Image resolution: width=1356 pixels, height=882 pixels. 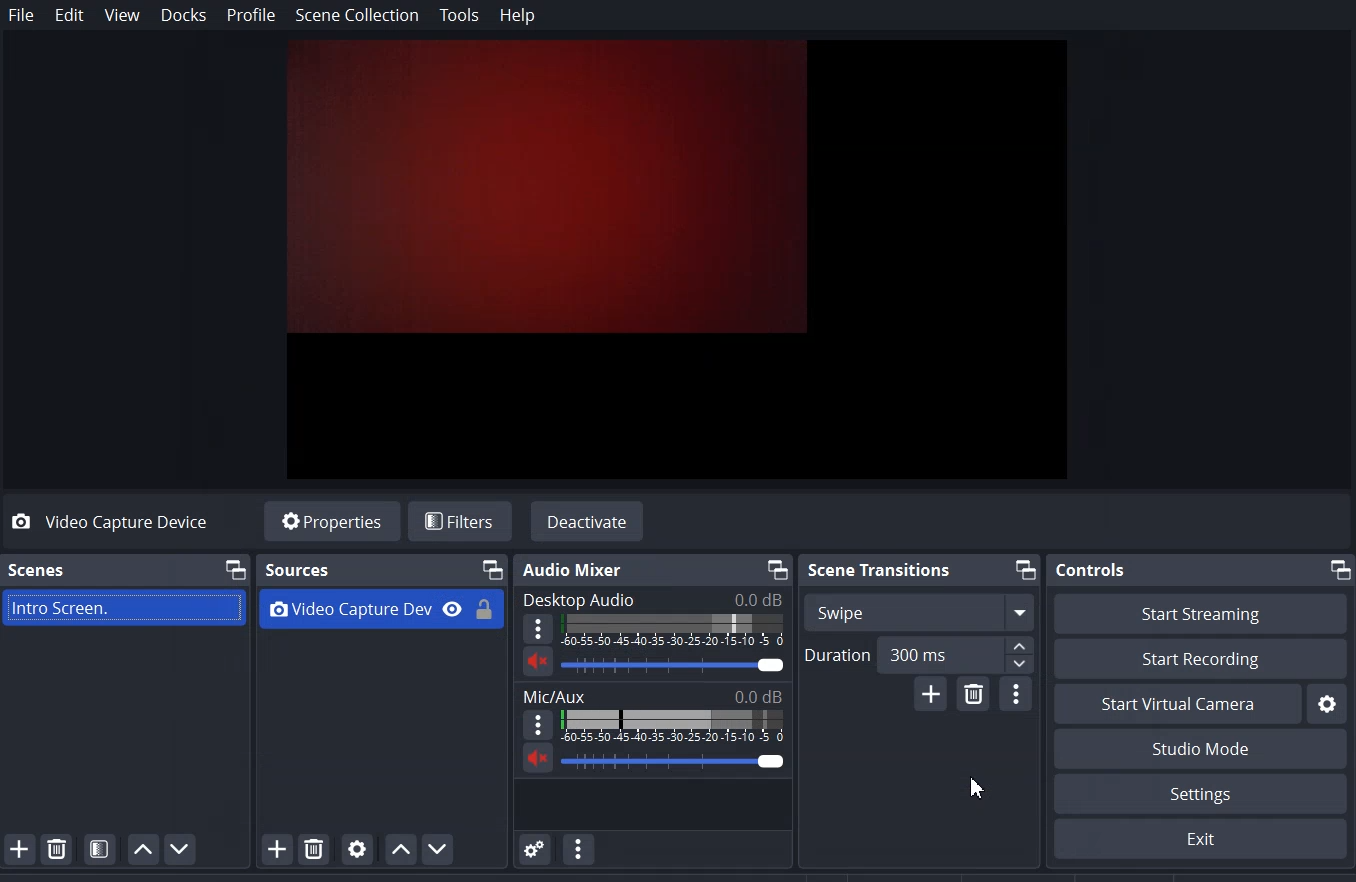 I want to click on Studio Mode, so click(x=1199, y=749).